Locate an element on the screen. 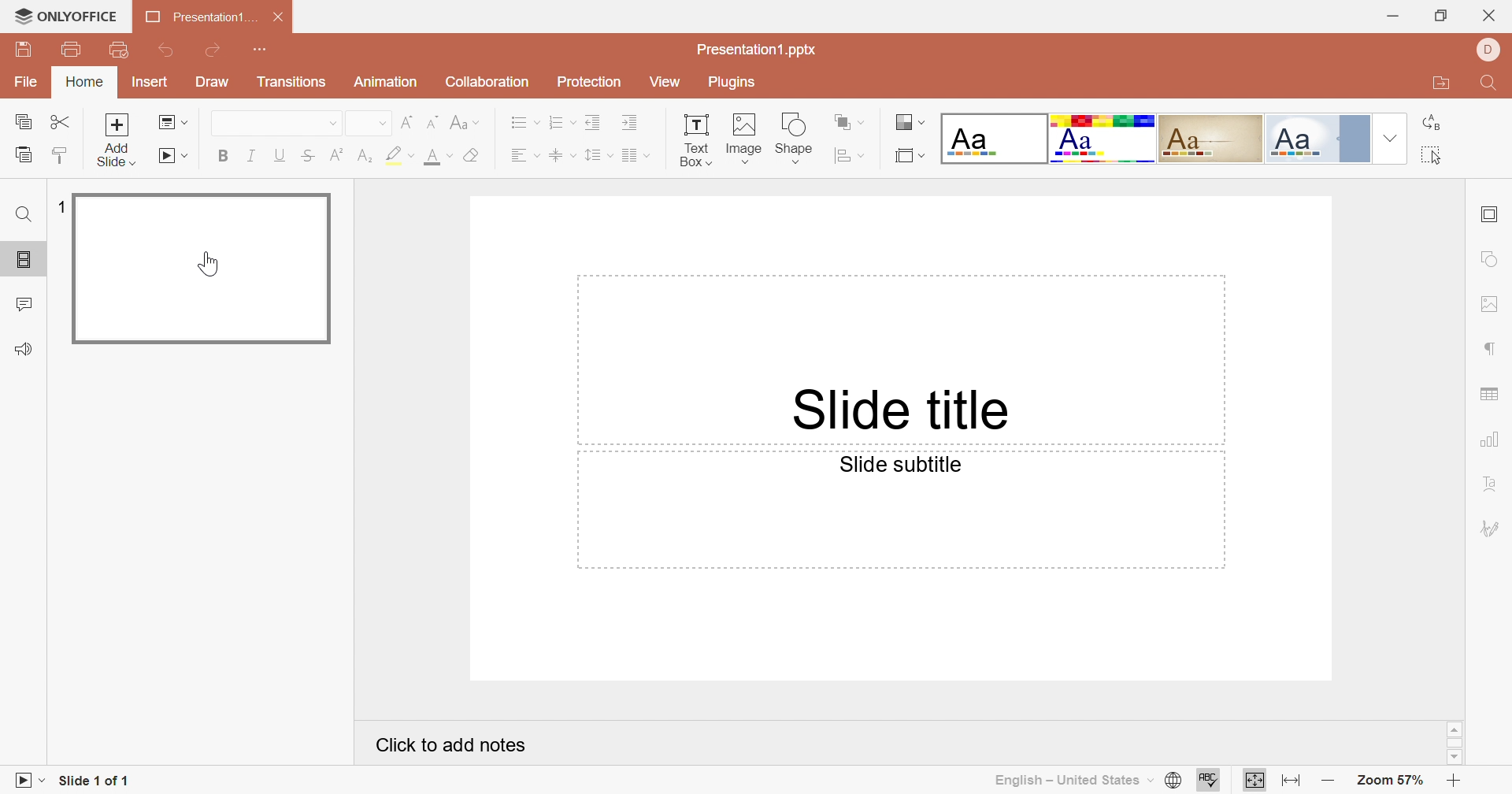  Change color theme is located at coordinates (913, 120).